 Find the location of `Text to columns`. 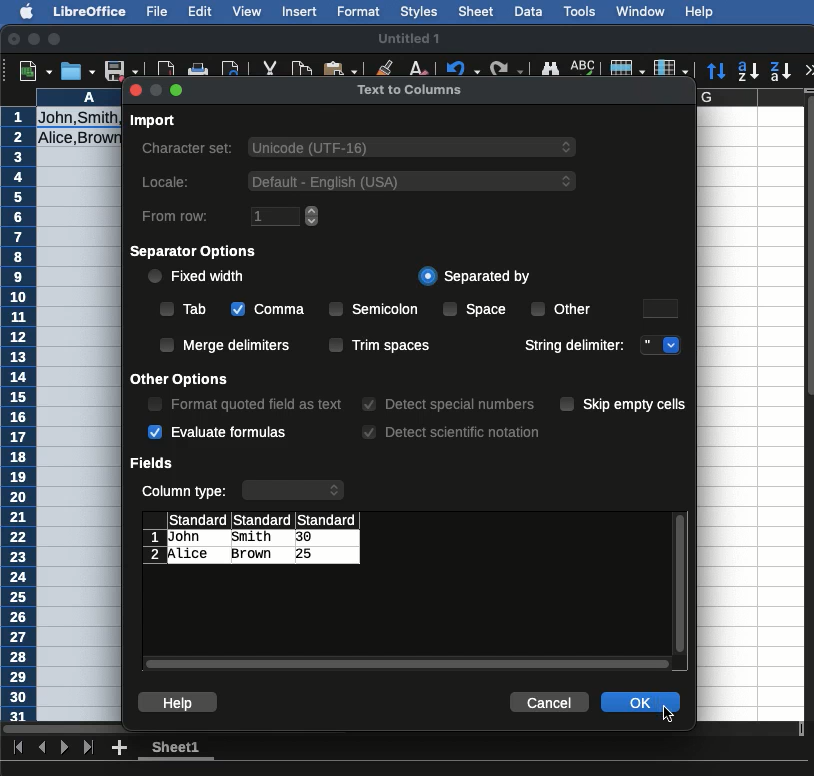

Text to columns is located at coordinates (415, 93).